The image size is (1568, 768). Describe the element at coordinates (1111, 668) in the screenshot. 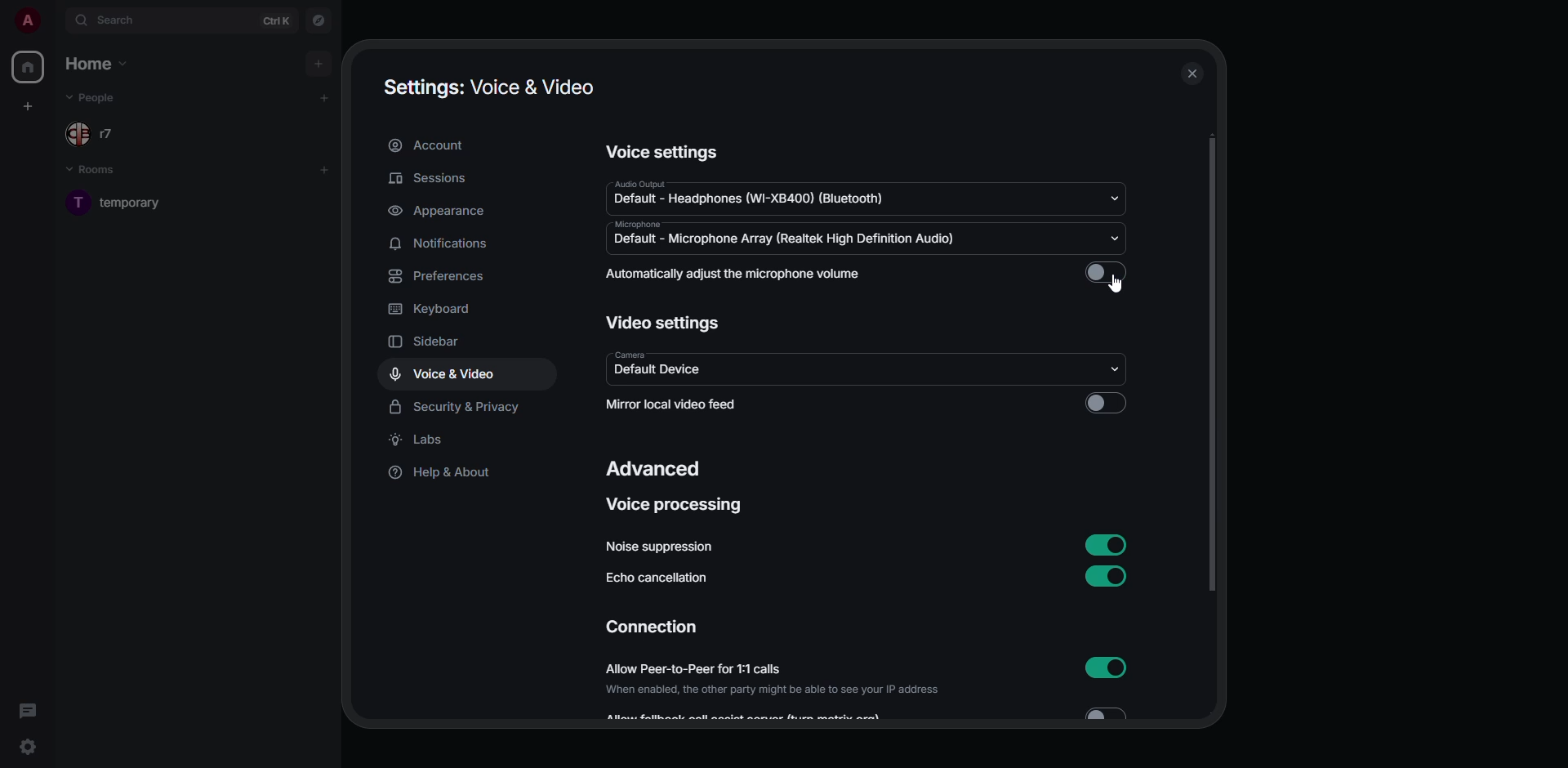

I see `enabled` at that location.